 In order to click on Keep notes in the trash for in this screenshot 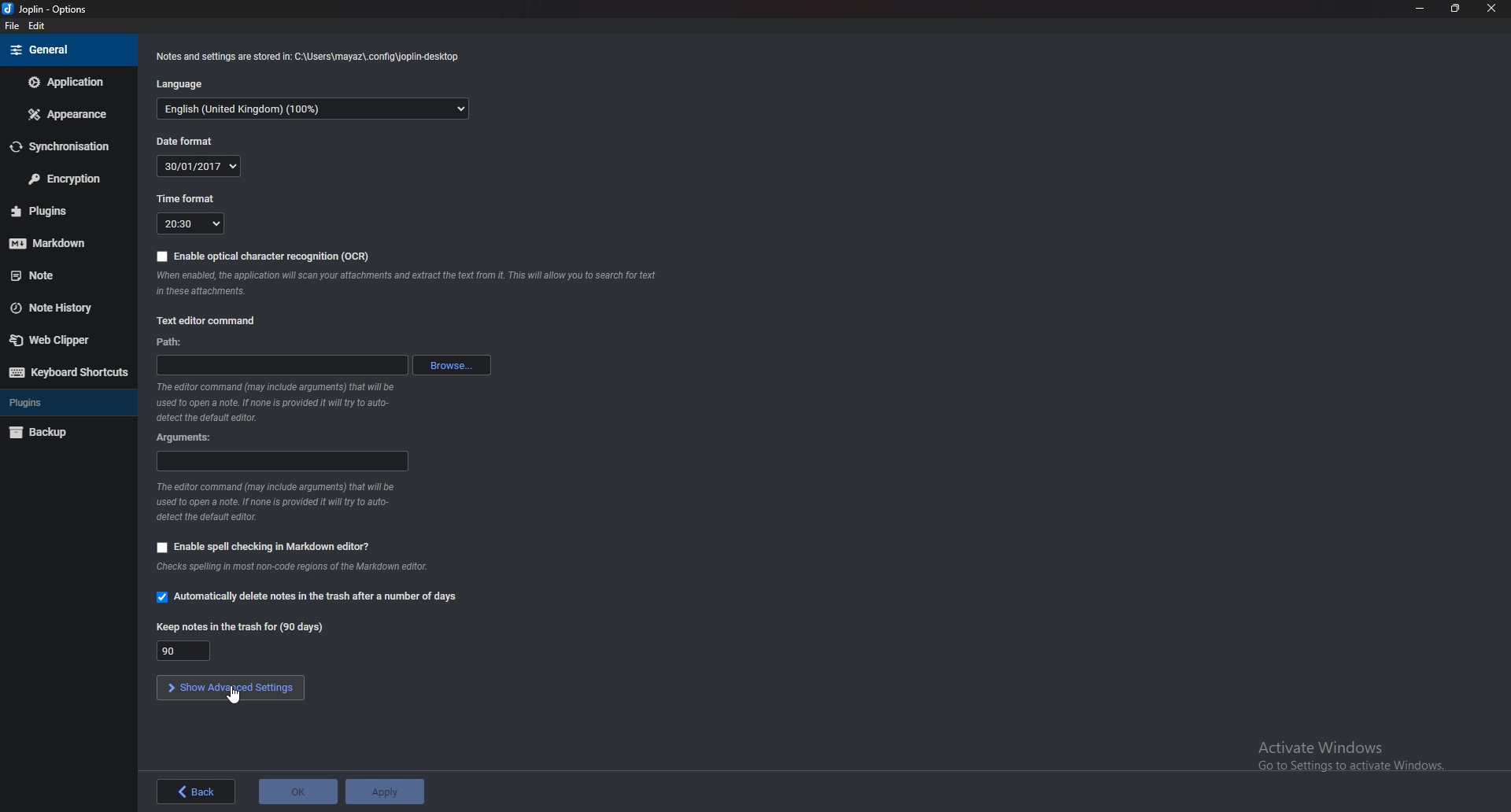, I will do `click(244, 626)`.